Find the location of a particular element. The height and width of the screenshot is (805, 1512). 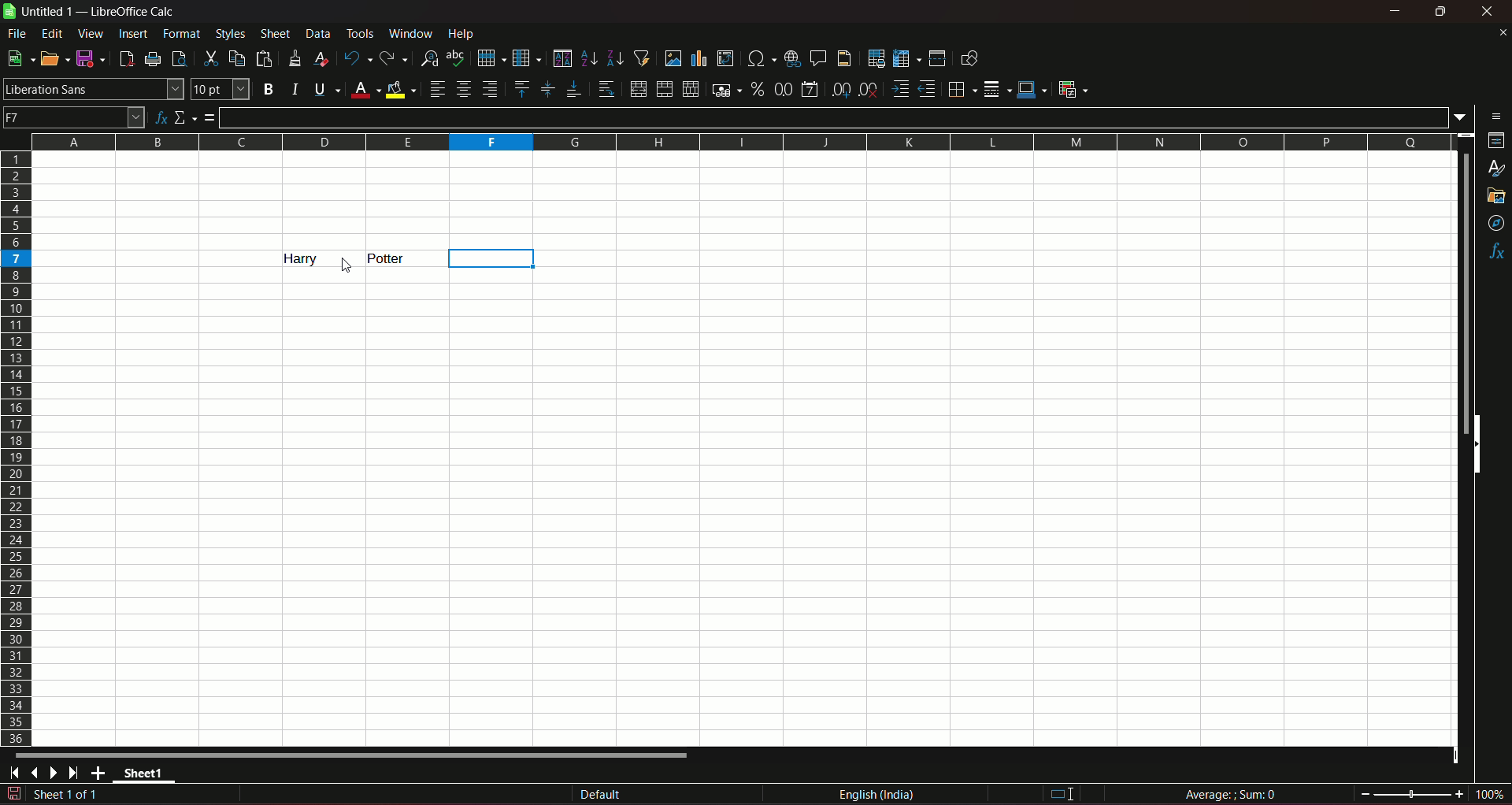

text is located at coordinates (292, 258).